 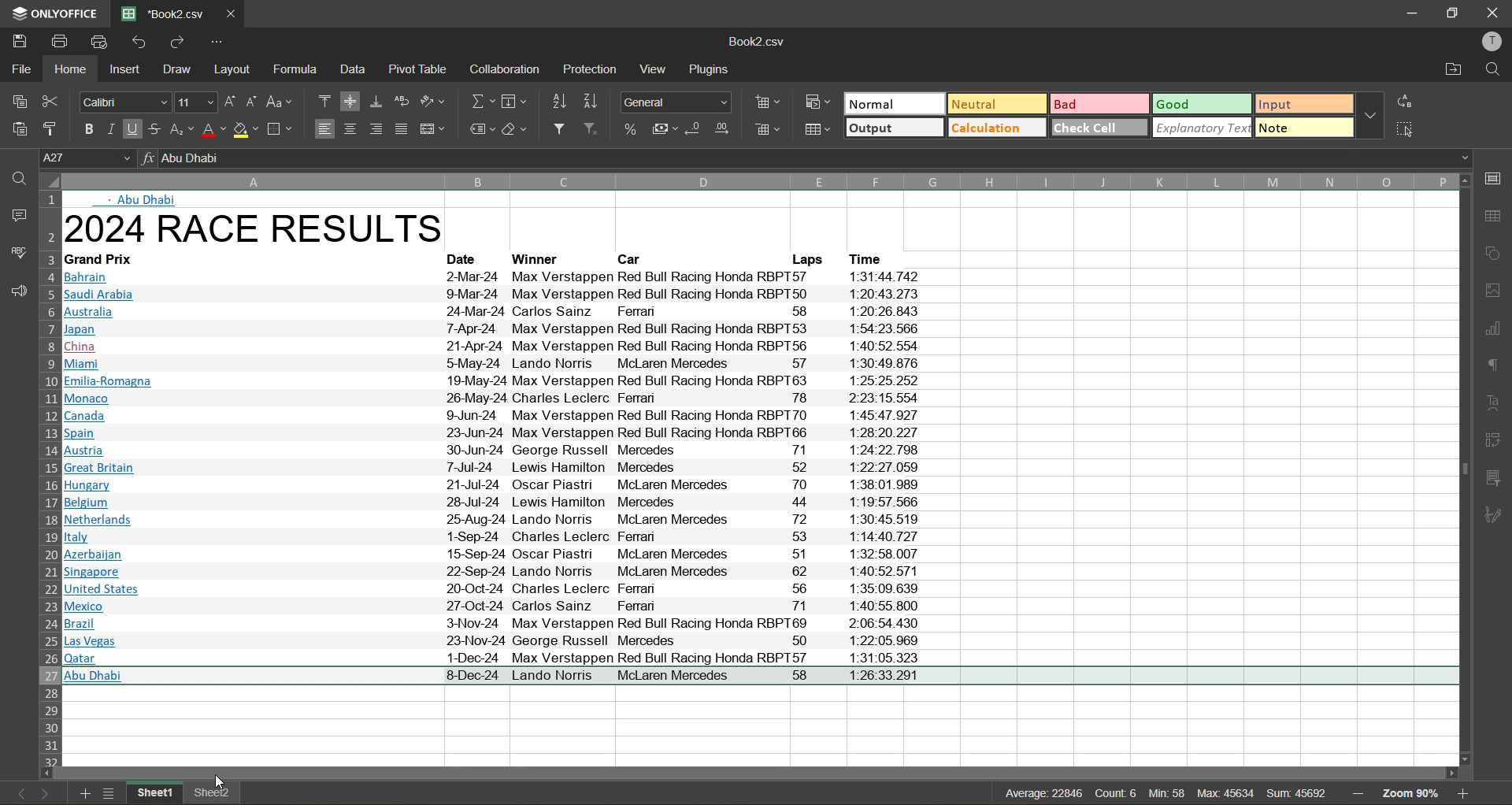 What do you see at coordinates (219, 783) in the screenshot?
I see `cursor` at bounding box center [219, 783].